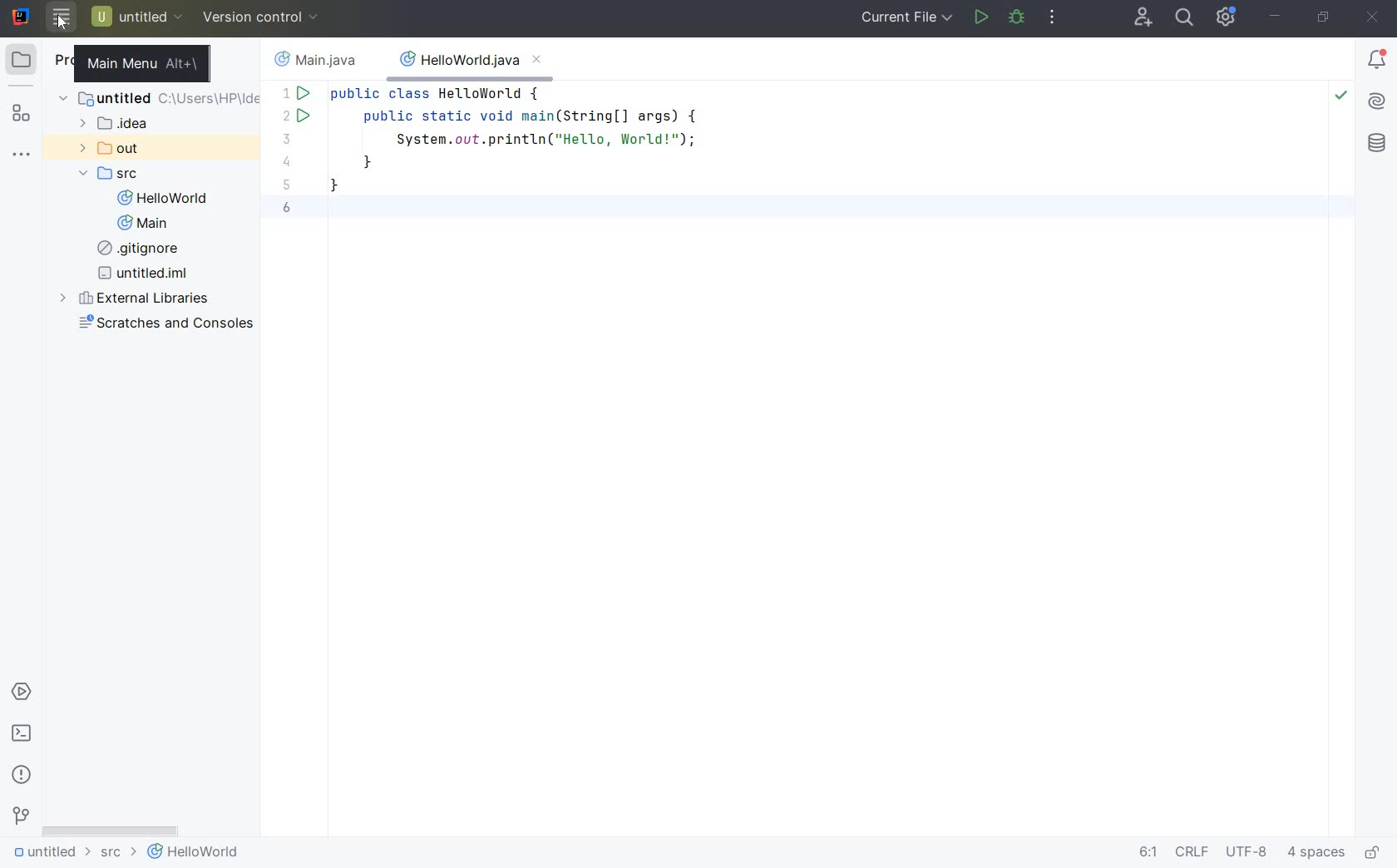 The width and height of the screenshot is (1397, 868). What do you see at coordinates (48, 855) in the screenshot?
I see `untitled` at bounding box center [48, 855].